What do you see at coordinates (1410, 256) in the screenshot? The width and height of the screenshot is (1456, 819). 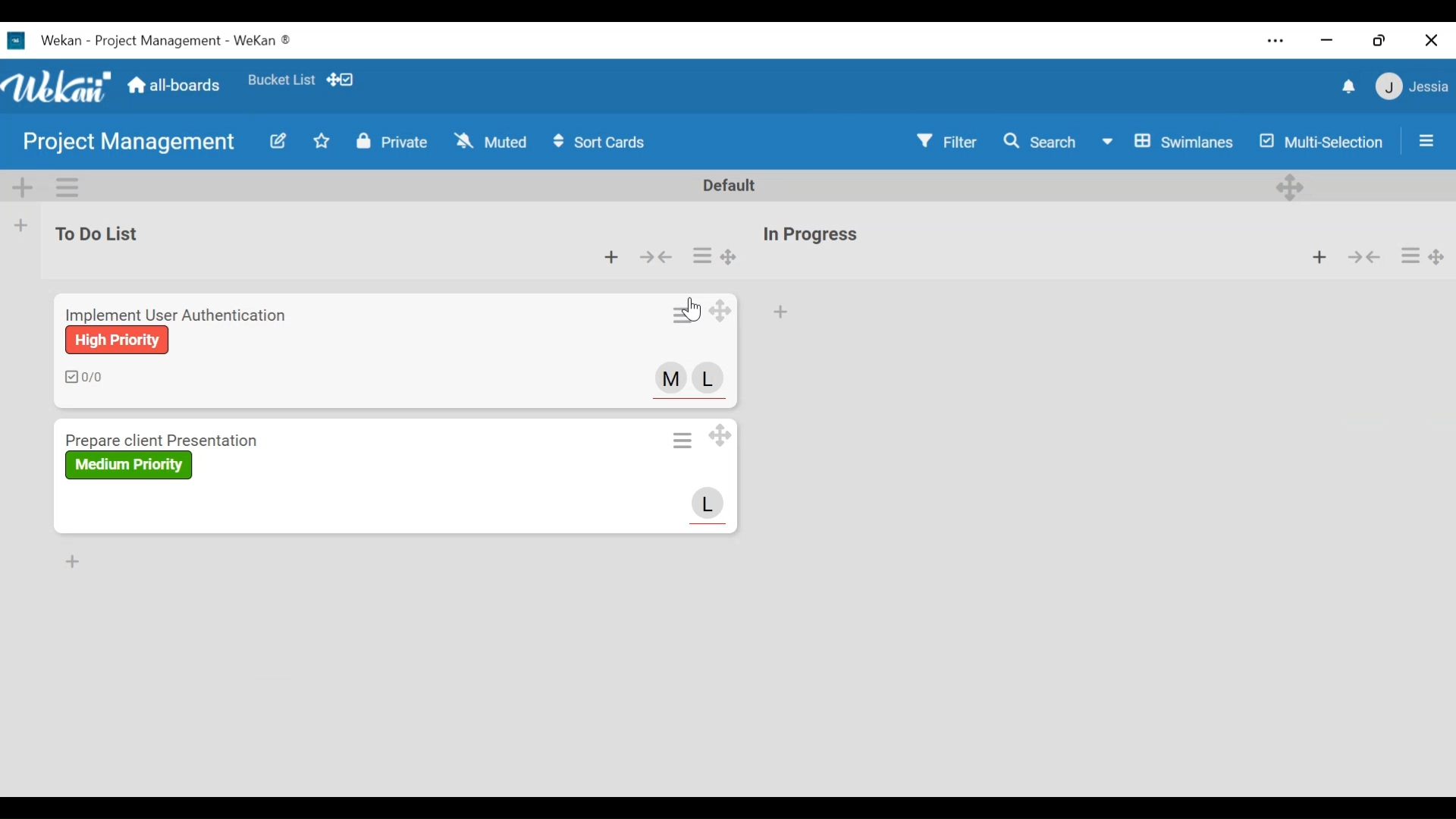 I see `card actions` at bounding box center [1410, 256].